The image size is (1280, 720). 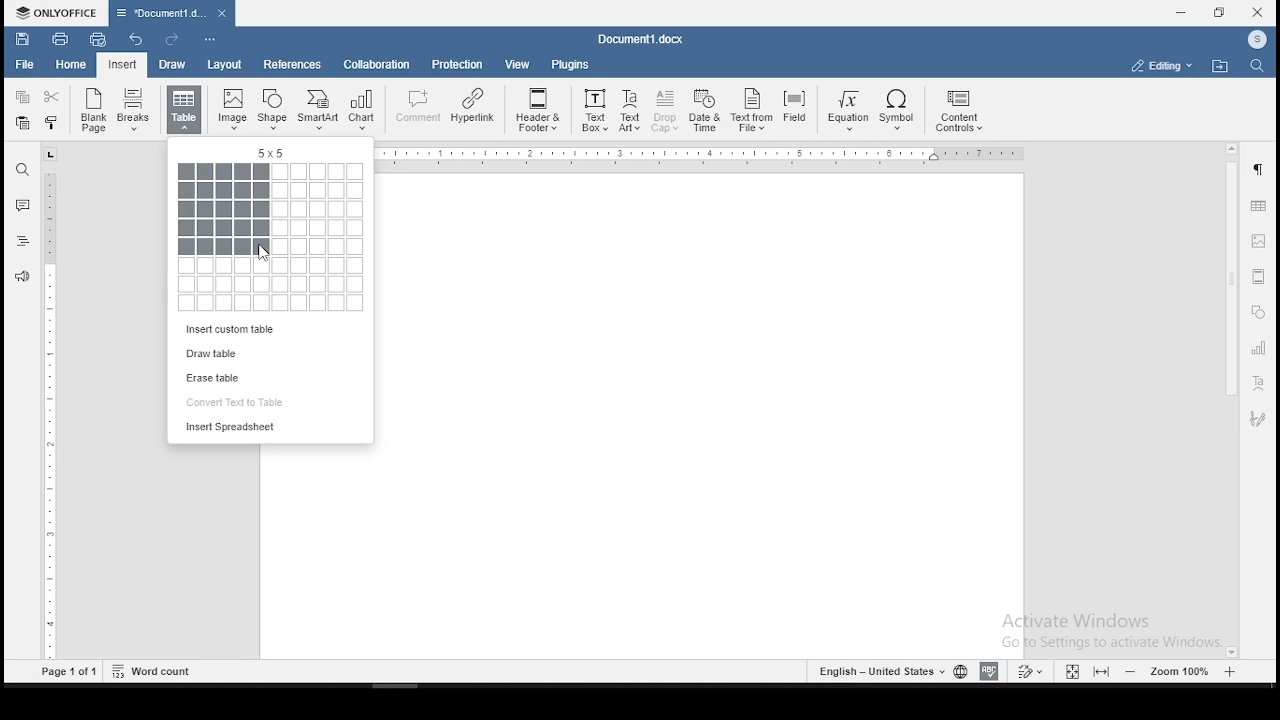 I want to click on ICON, so click(x=1256, y=41).